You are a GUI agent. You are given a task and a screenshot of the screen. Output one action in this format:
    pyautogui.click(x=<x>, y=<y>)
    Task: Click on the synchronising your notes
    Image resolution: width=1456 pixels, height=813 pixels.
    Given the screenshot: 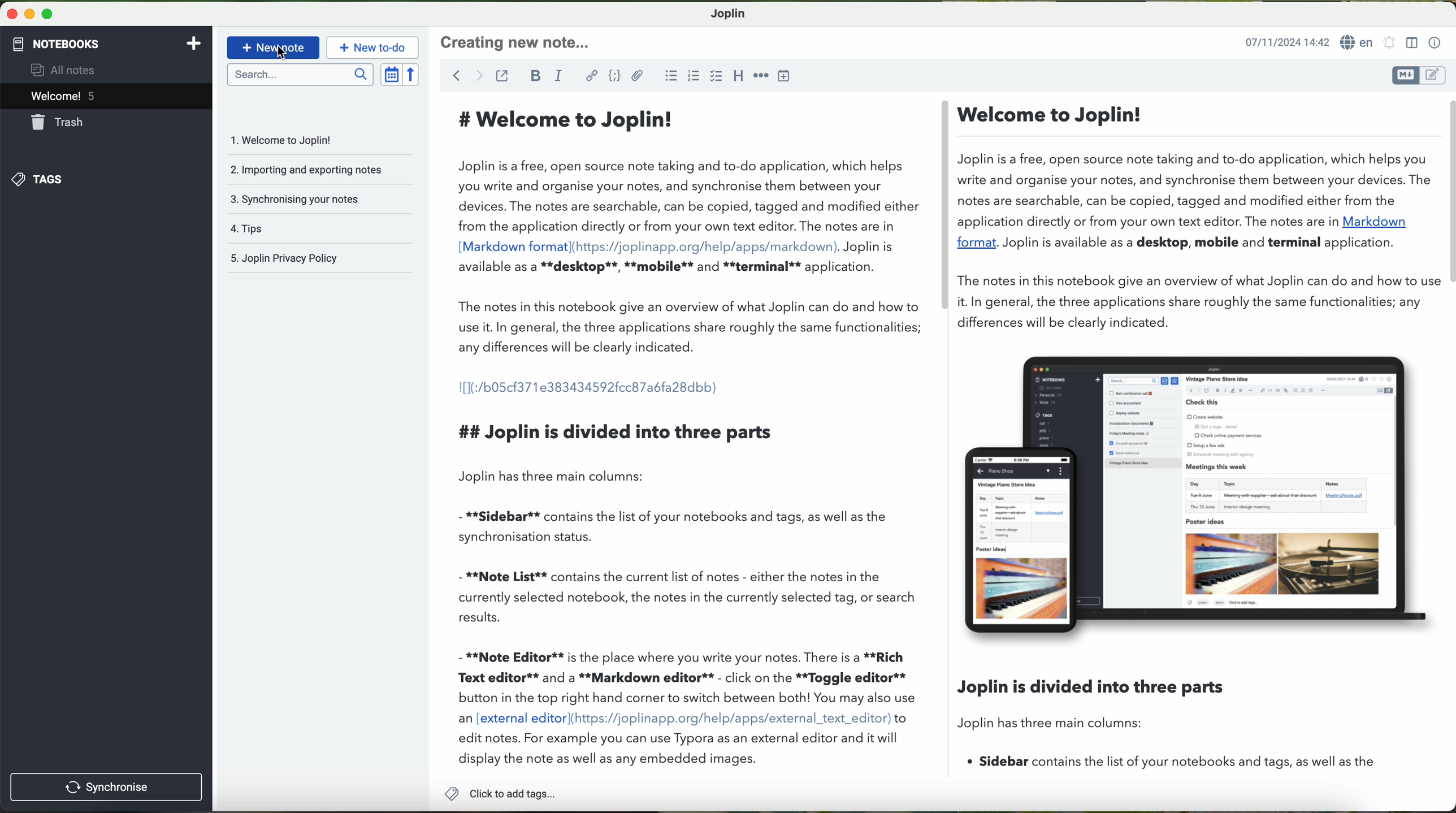 What is the action you would take?
    pyautogui.click(x=318, y=198)
    